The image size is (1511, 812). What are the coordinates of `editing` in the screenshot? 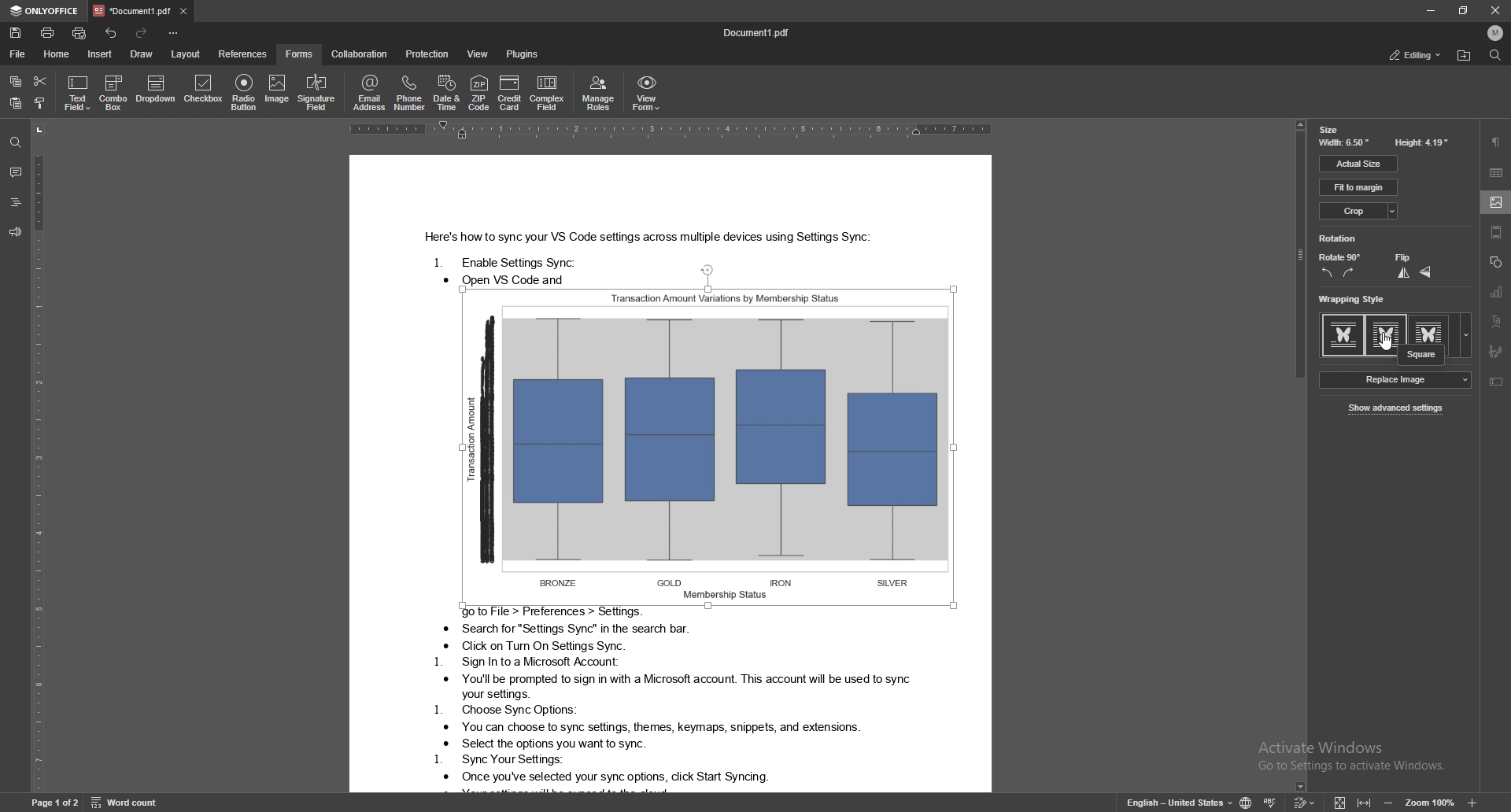 It's located at (1417, 56).